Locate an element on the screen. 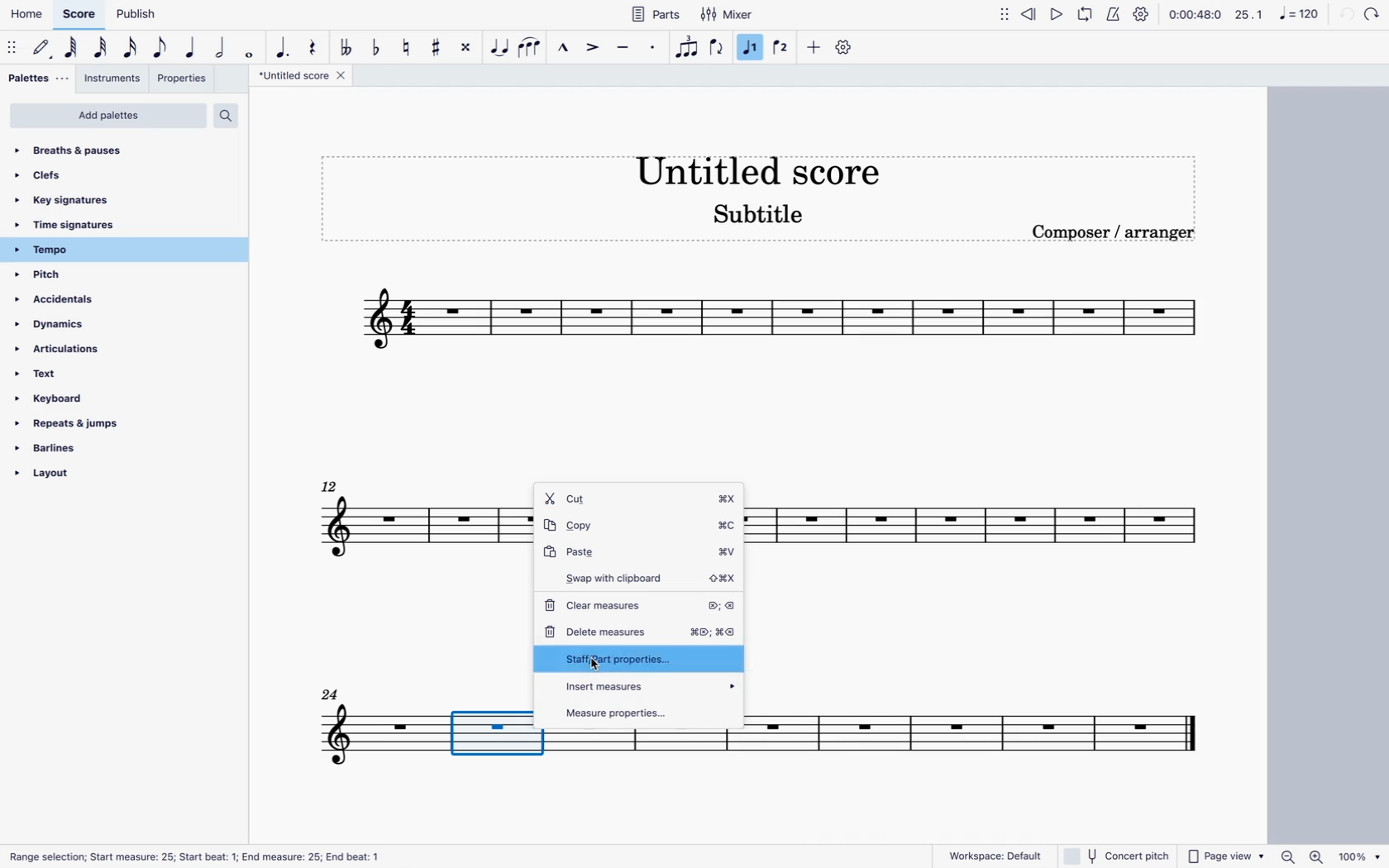 This screenshot has height=868, width=1389. tie is located at coordinates (499, 46).